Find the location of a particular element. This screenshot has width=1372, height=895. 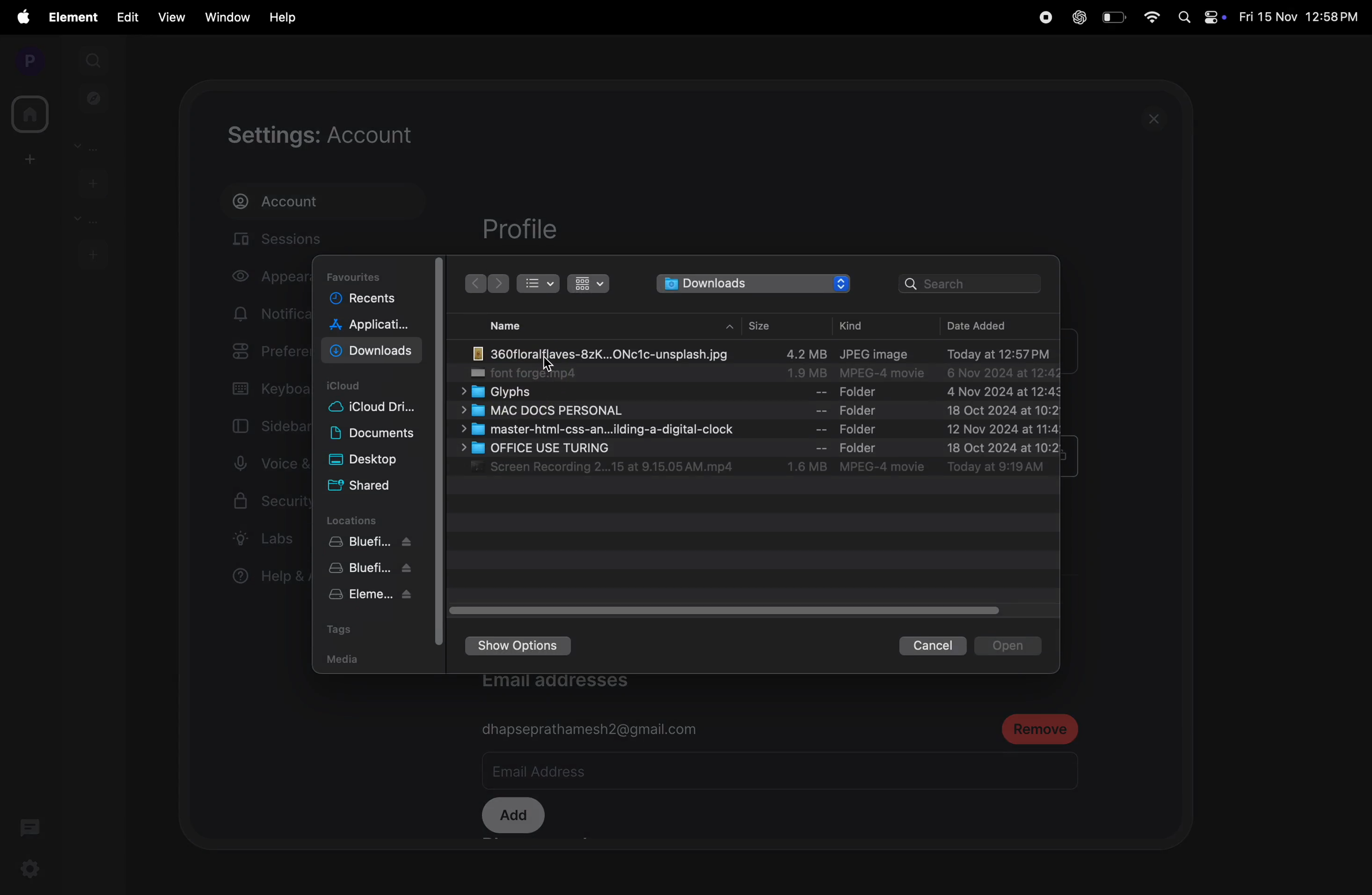

record is located at coordinates (1043, 17).